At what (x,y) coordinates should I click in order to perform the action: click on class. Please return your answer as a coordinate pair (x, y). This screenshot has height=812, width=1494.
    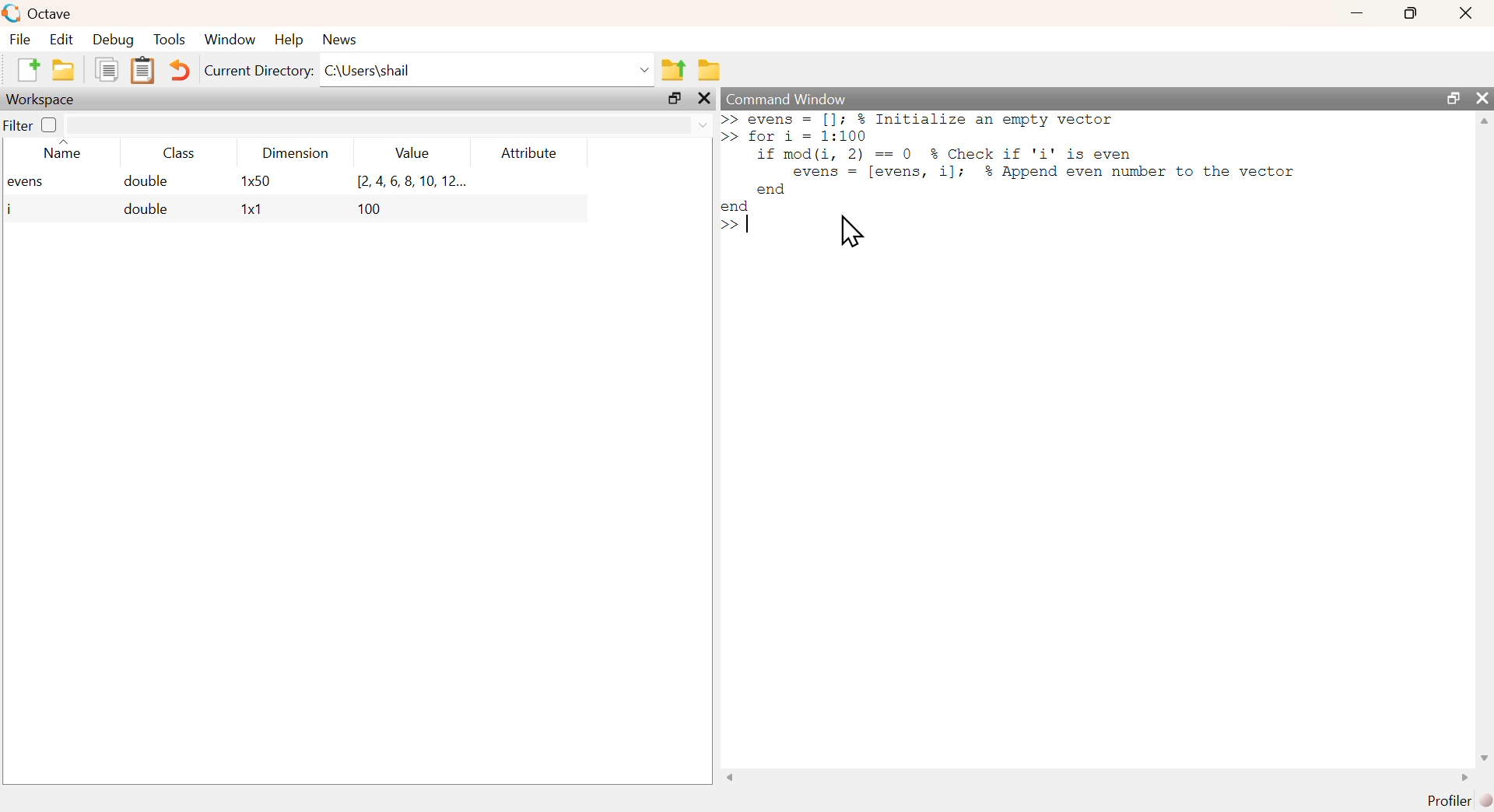
    Looking at the image, I should click on (177, 153).